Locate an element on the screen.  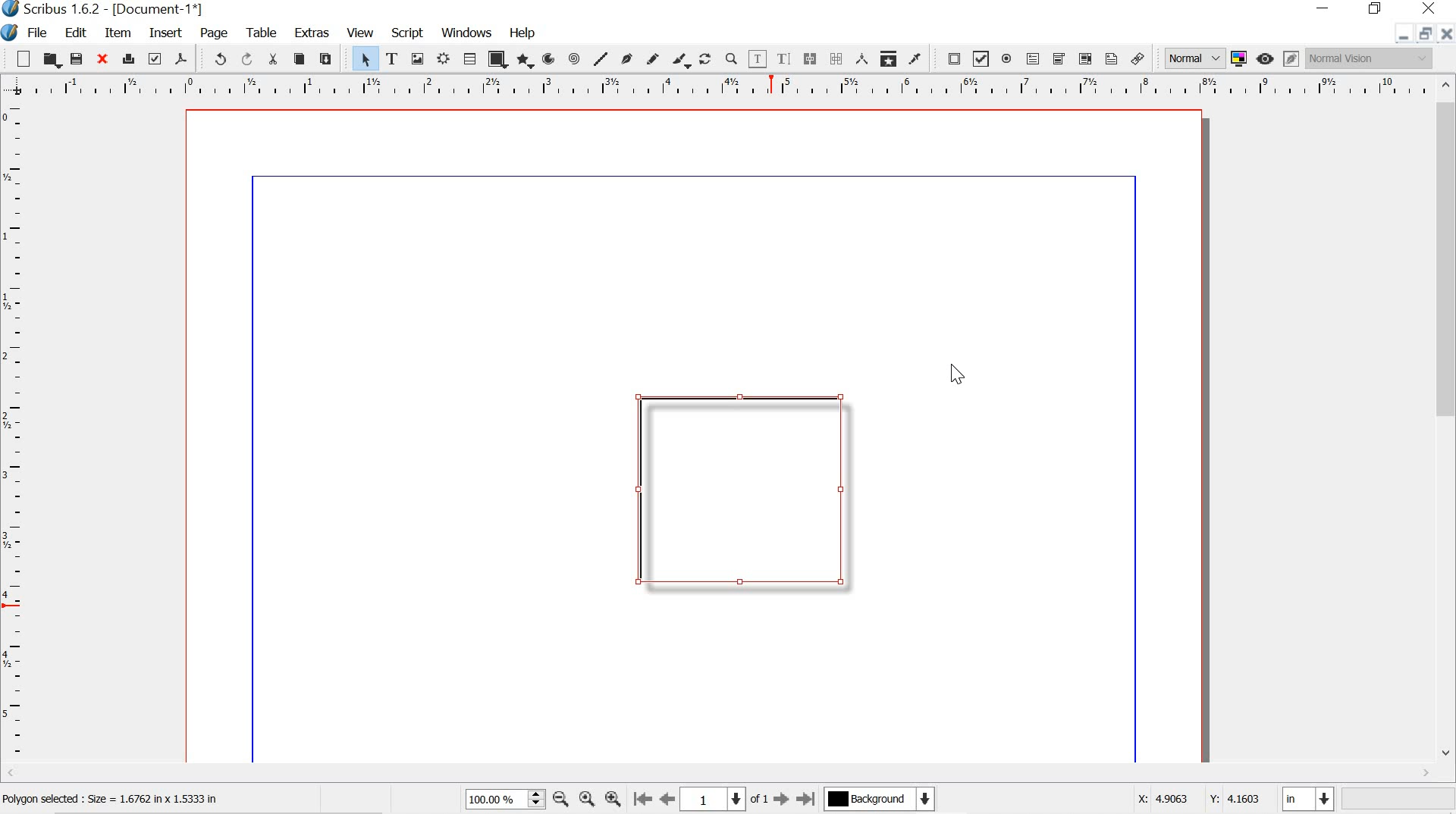
spiral is located at coordinates (575, 58).